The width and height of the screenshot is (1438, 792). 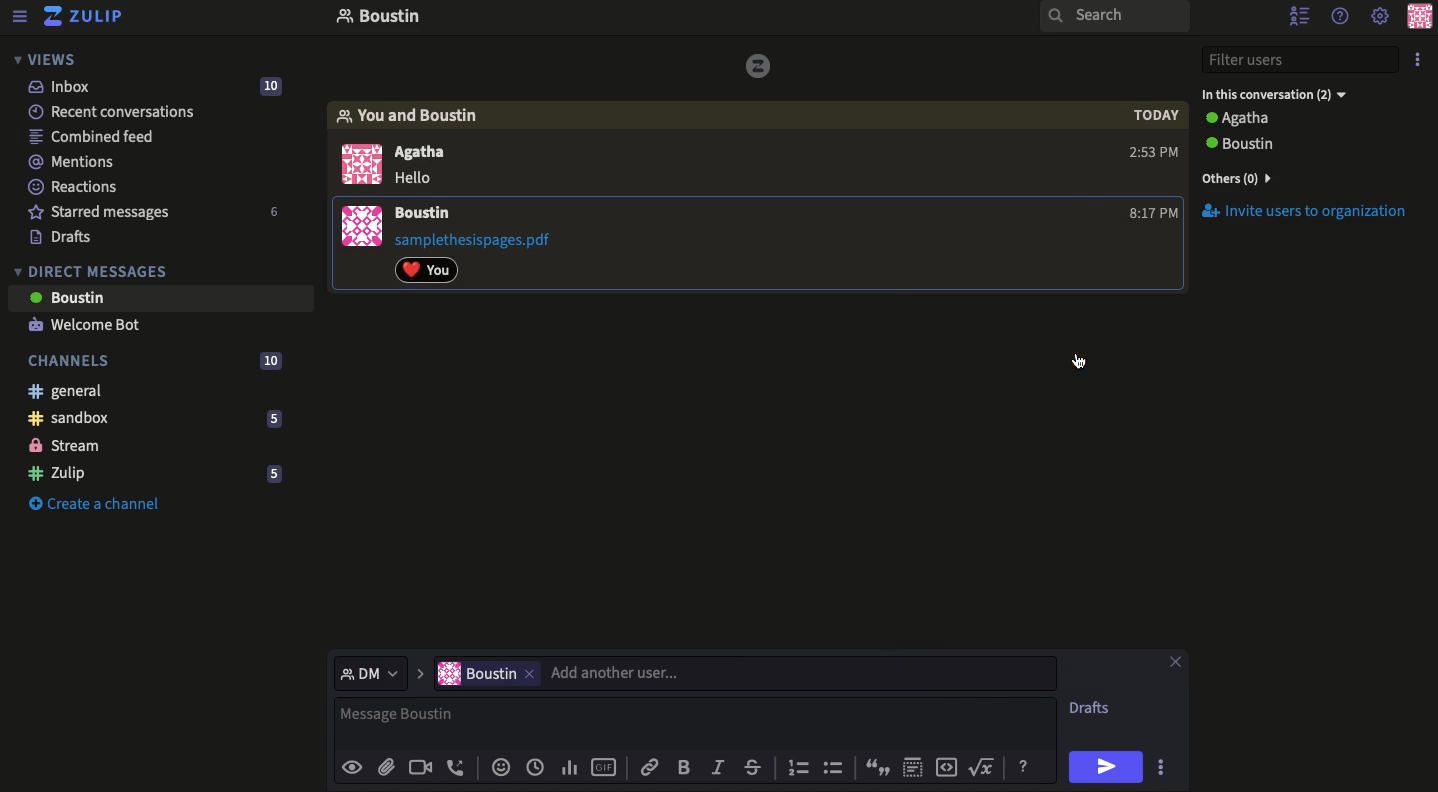 I want to click on Starred messages, so click(x=155, y=213).